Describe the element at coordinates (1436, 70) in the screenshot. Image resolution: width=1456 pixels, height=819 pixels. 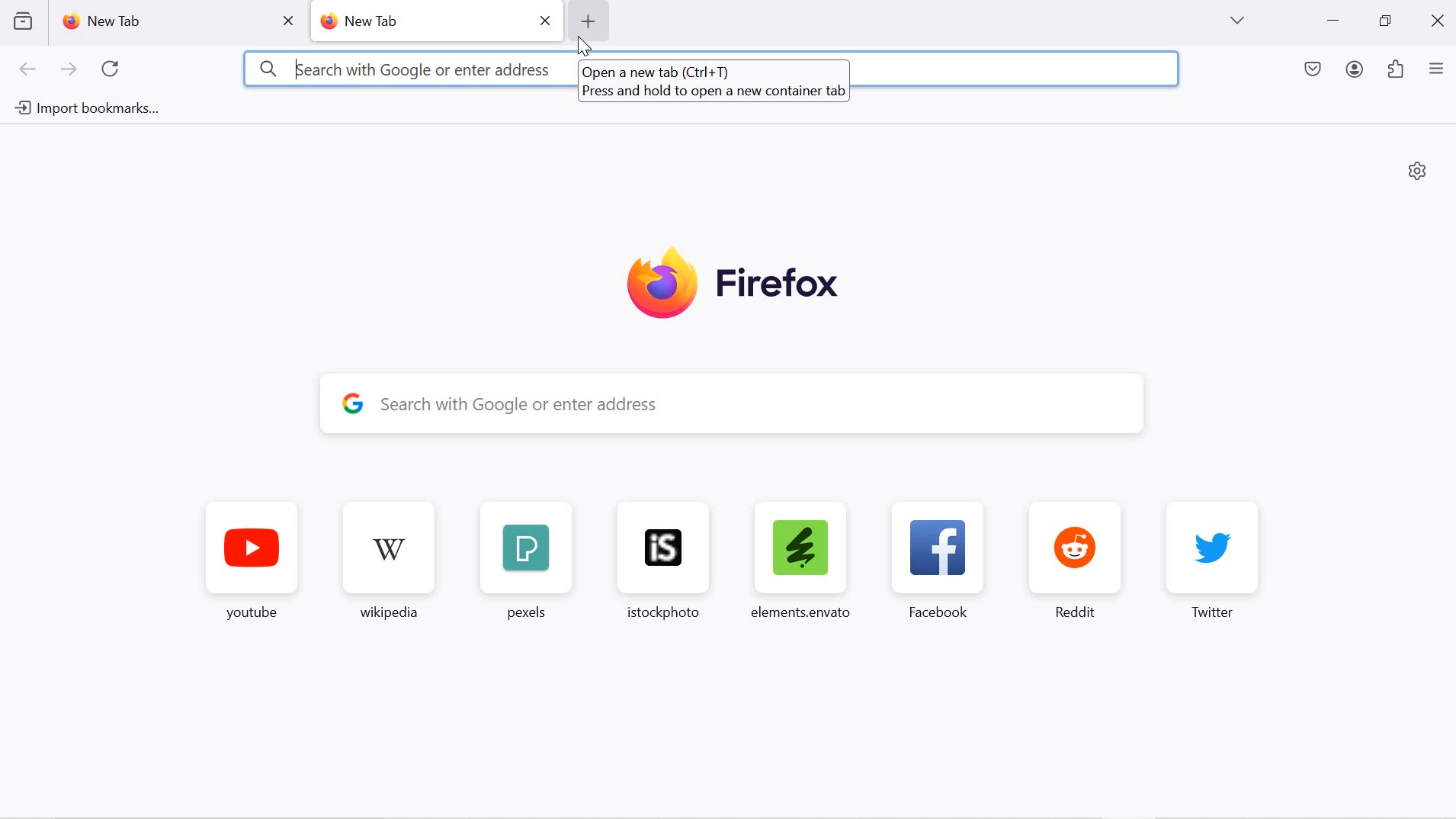
I see `application menu` at that location.